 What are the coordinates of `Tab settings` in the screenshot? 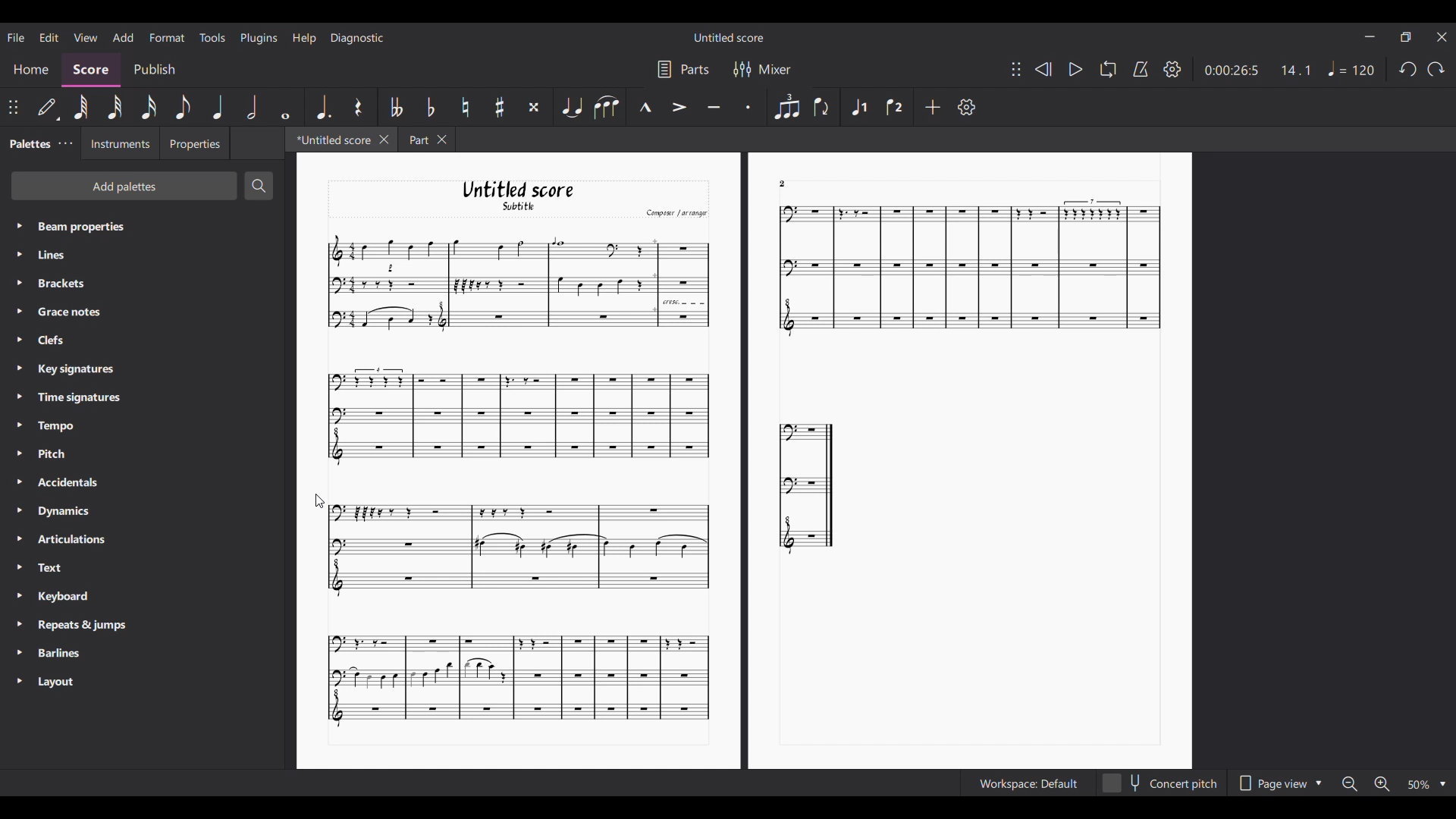 It's located at (65, 143).